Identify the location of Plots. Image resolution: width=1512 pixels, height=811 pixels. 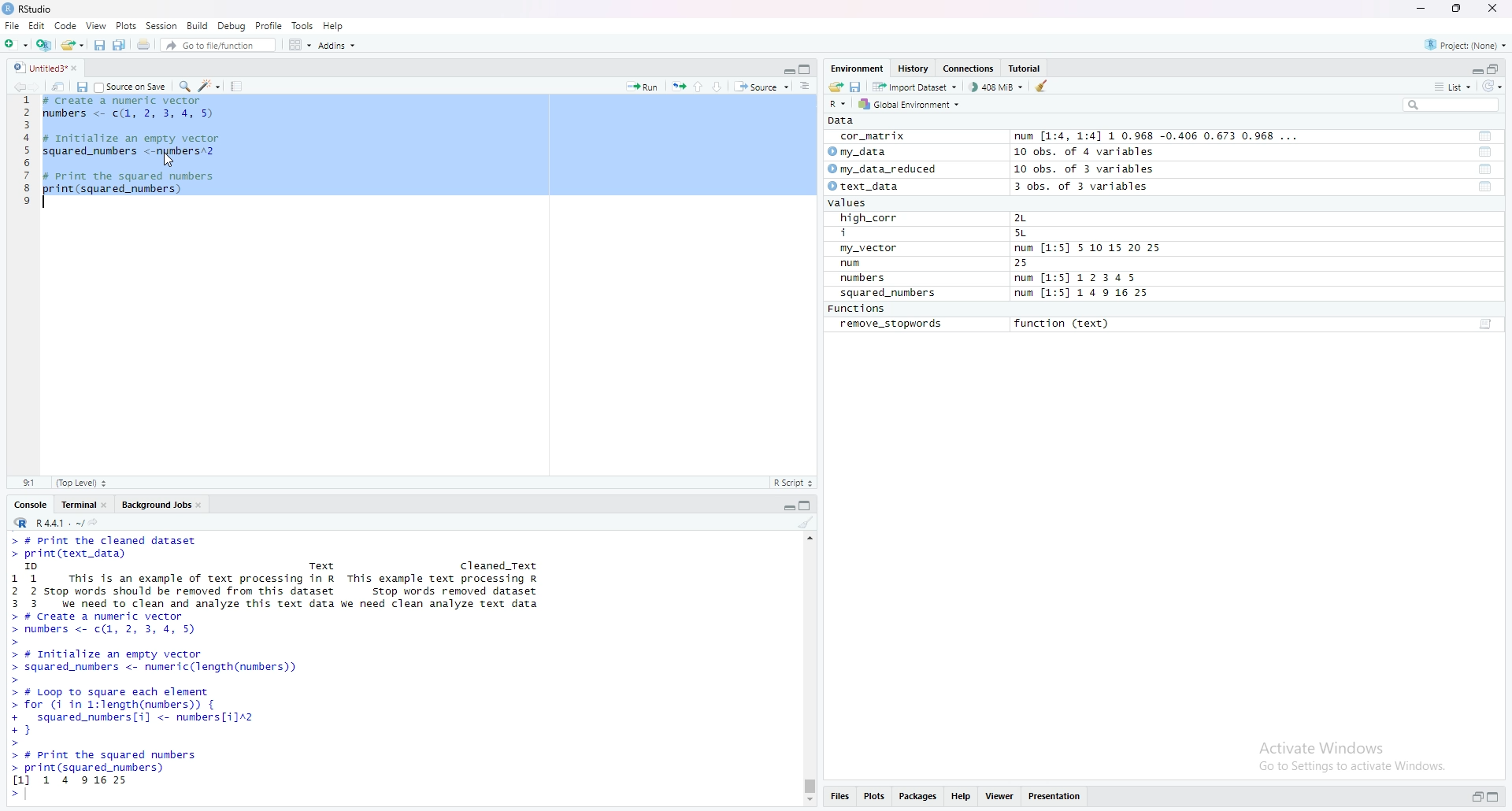
(126, 25).